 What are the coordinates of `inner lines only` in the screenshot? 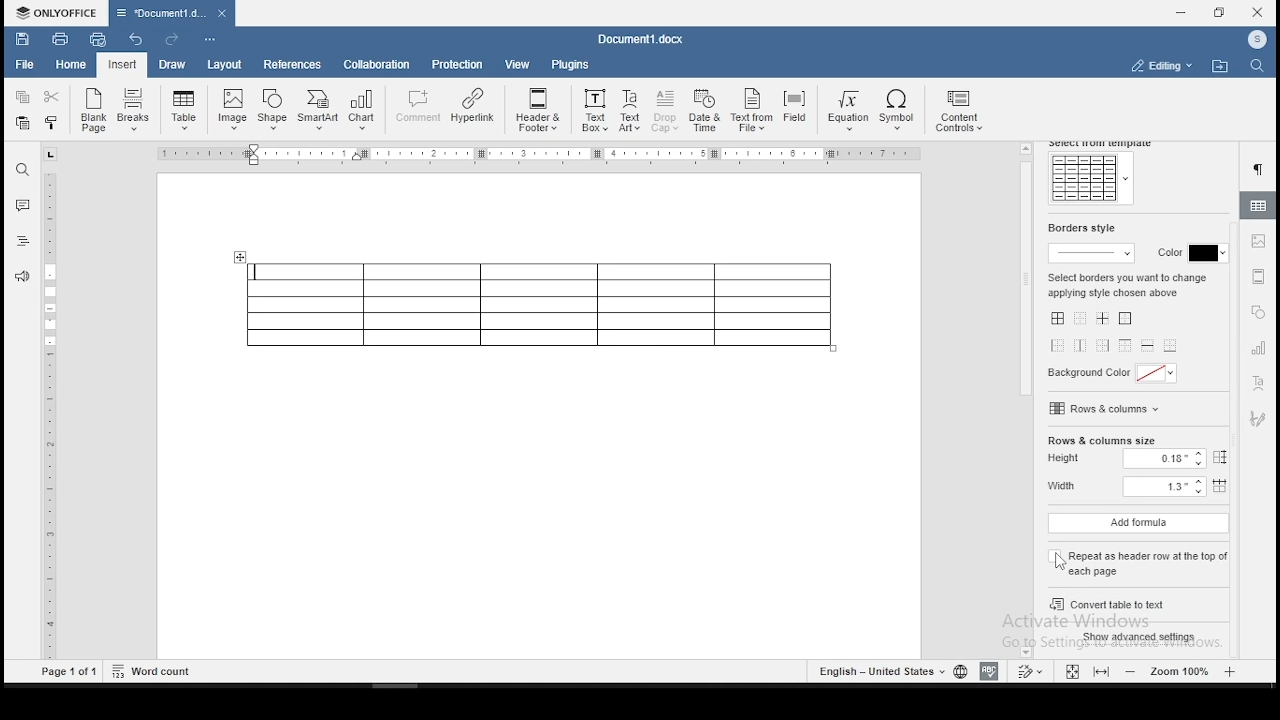 It's located at (1105, 319).